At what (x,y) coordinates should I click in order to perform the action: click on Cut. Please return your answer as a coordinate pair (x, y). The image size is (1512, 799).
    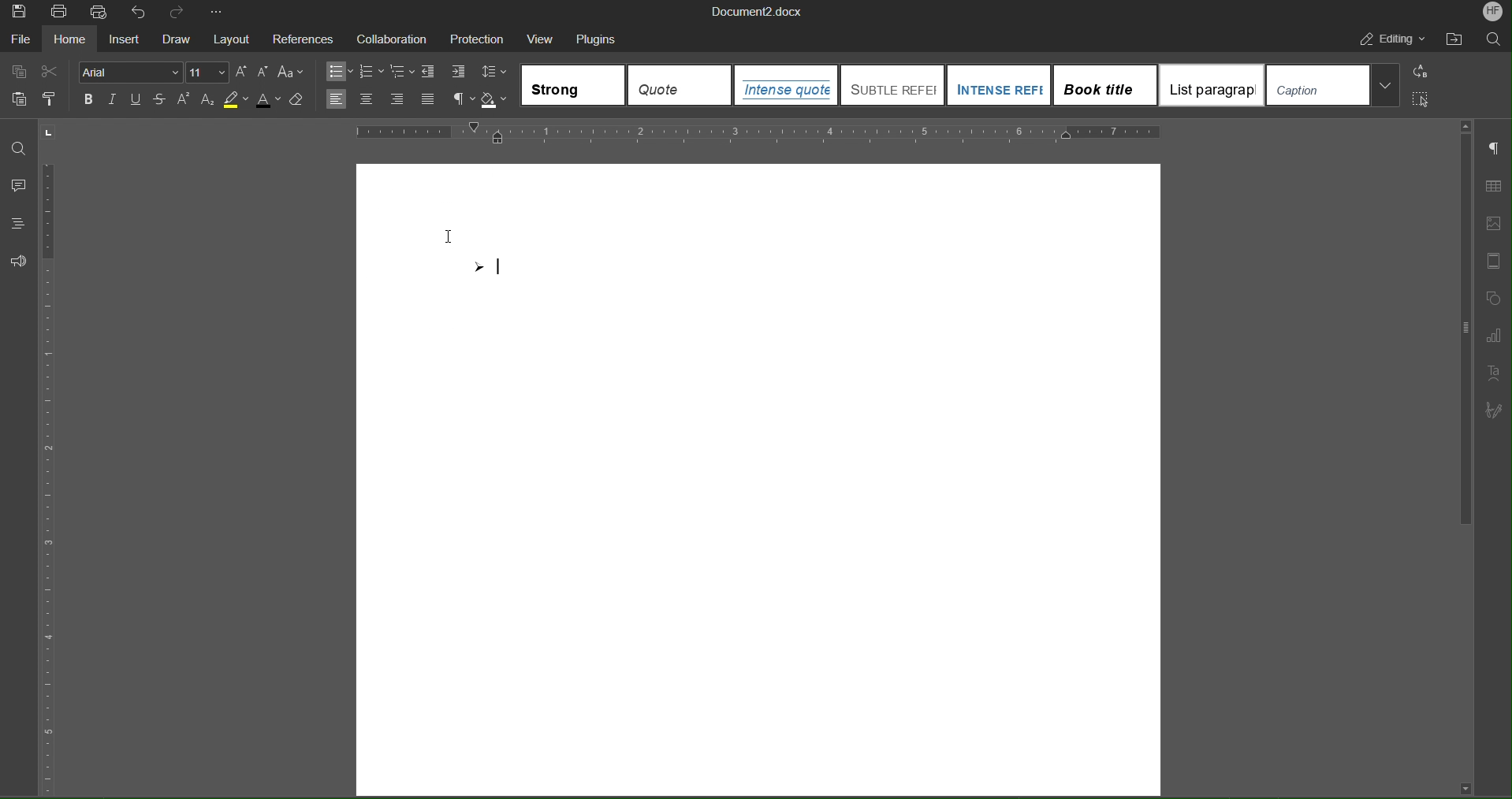
    Looking at the image, I should click on (57, 71).